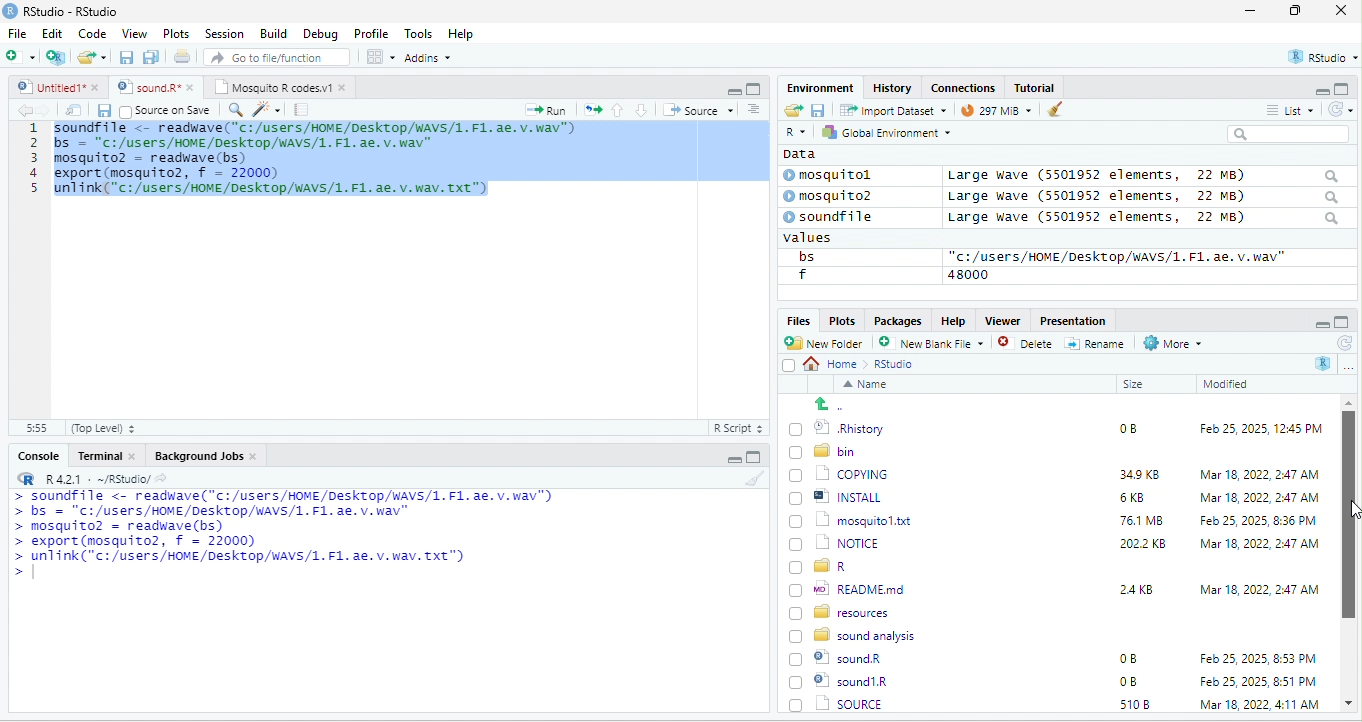  Describe the element at coordinates (1260, 706) in the screenshot. I see `Apr 26, 2022, 1:00 PM` at that location.